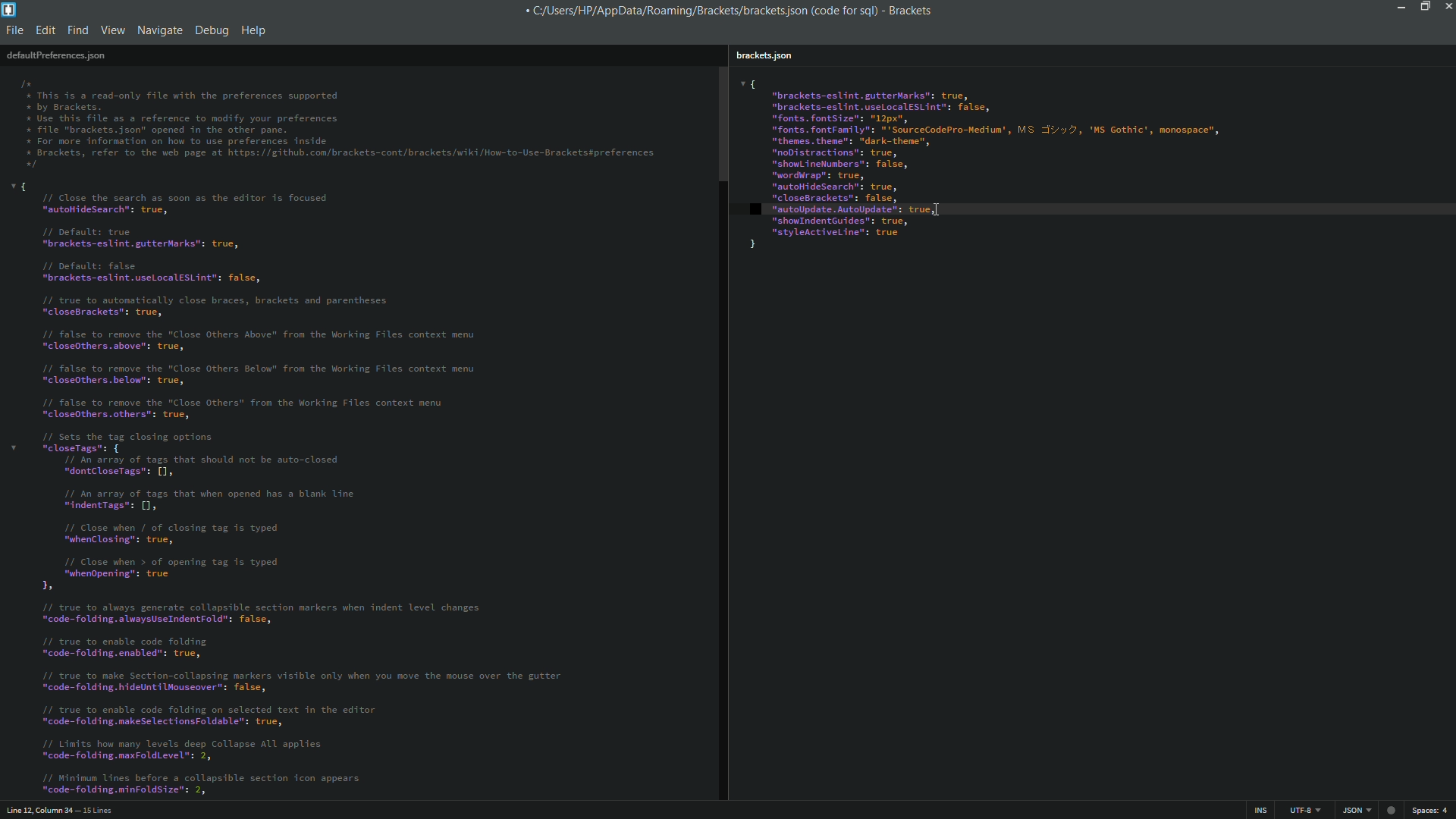 This screenshot has height=819, width=1456. Describe the element at coordinates (1087, 168) in the screenshot. I see `vi
"brackets-eslint. gutterMarks": true,
“brackets-eslint.useLocalESLint": false,
“fonts. fontSize": "12px",
“fonts. fontFamily": "'SourceCodePro-Hediun', MS Tfi/y%, 'MS Gothic’, monospace",
“themes. theme": "dark-thene",
“noDistractions": true,
“showLineNunbers": false,
"wordWrap": true,
“autoHideSearch: true,
“closeBrackets": false,
“autoUpdate. AutoUpdate": true,
“showIndentGuides: true,
“styleActiveLine": true

3` at that location.